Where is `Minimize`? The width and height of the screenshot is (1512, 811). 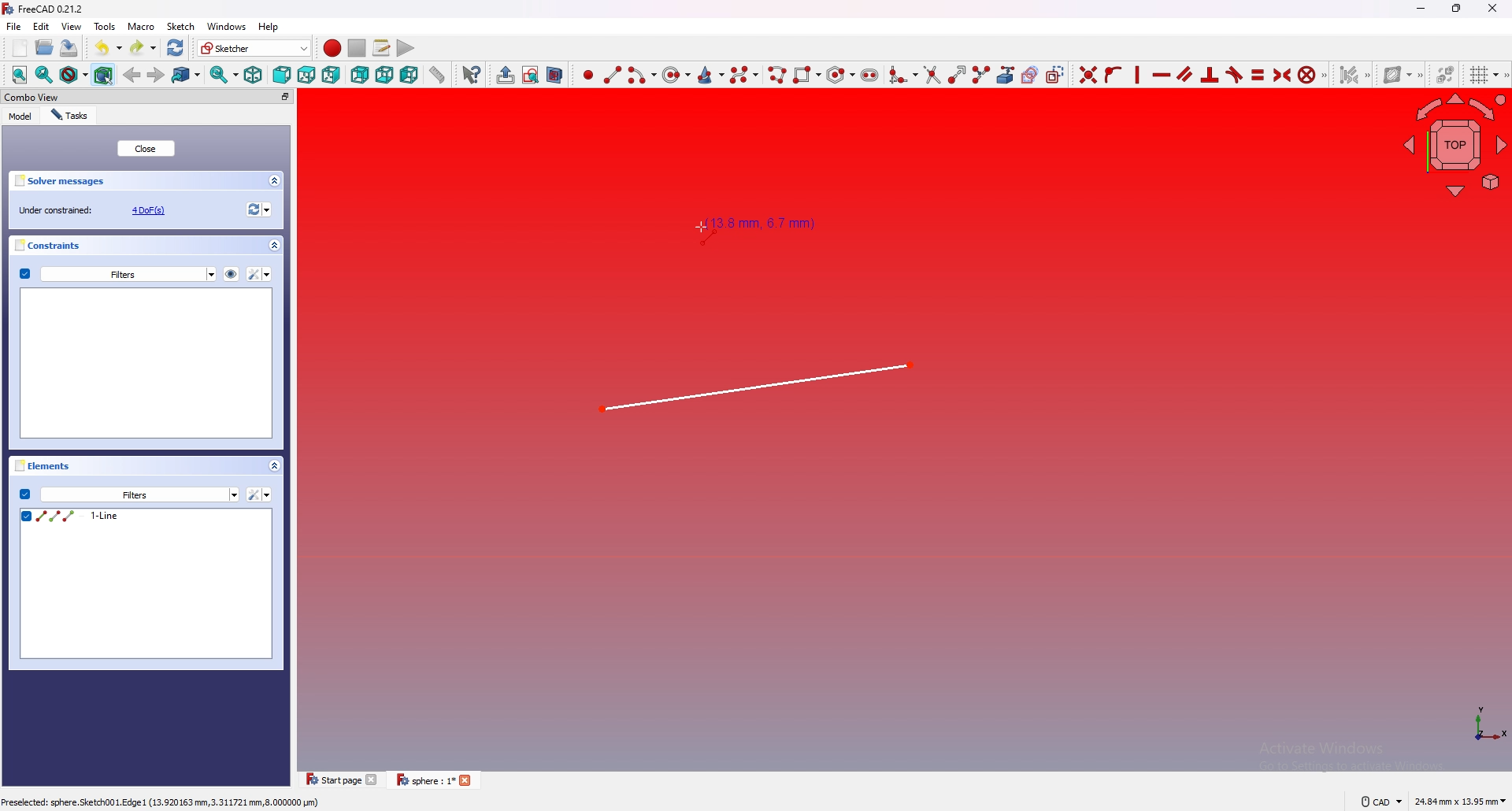 Minimize is located at coordinates (1418, 10).